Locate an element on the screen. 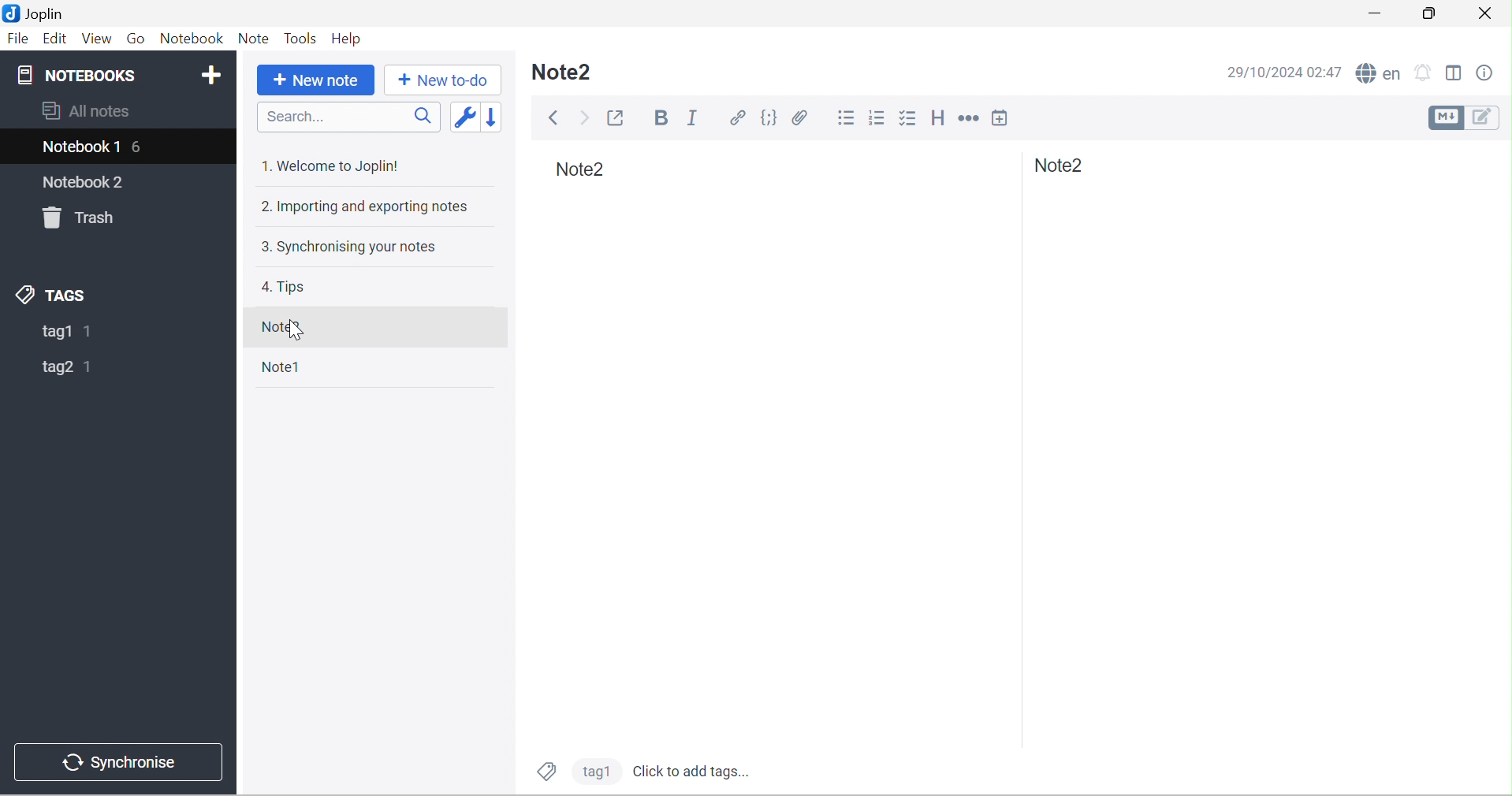 The width and height of the screenshot is (1512, 796). Go is located at coordinates (136, 39).